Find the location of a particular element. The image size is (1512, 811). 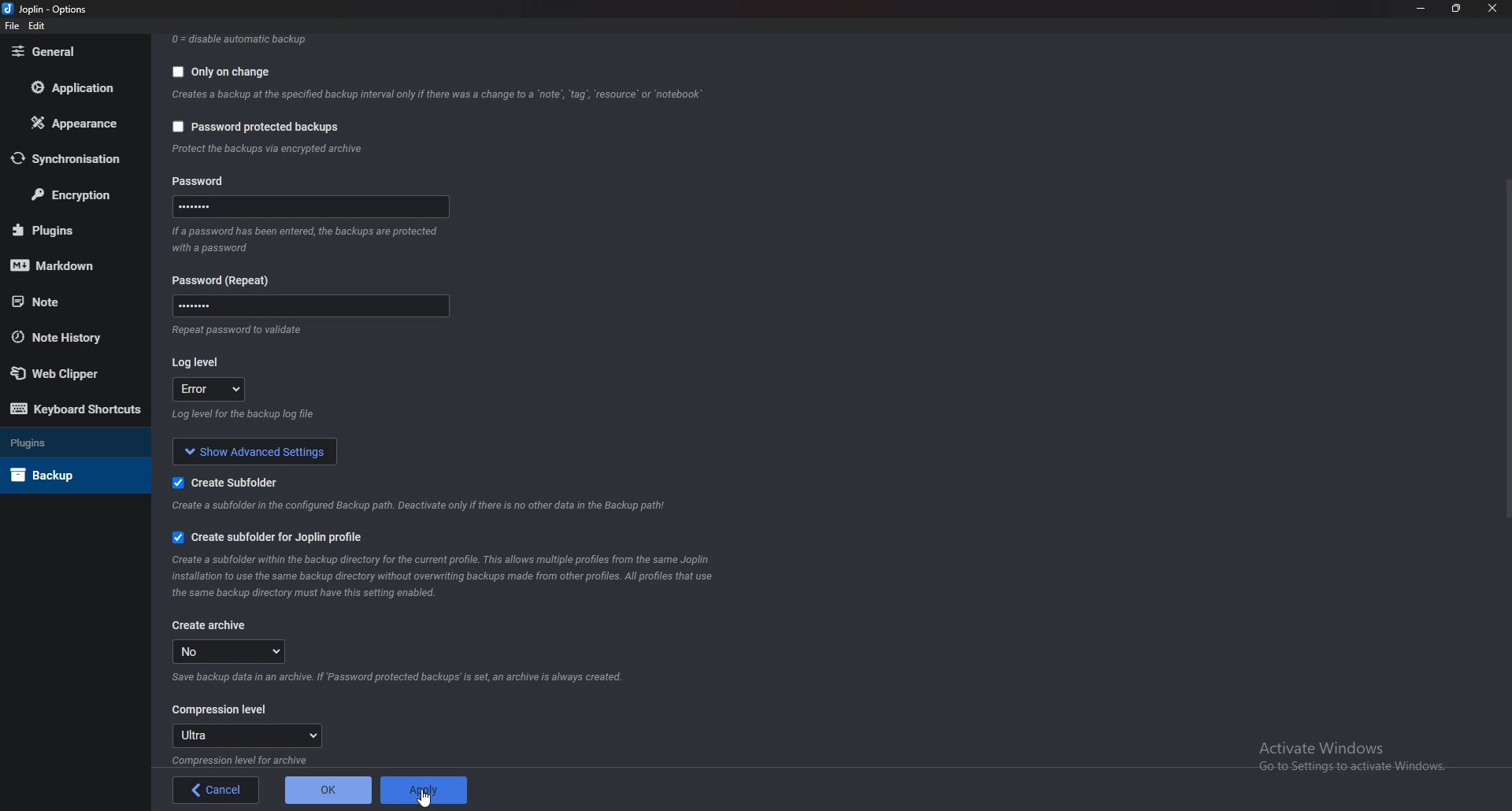

Password is located at coordinates (309, 306).